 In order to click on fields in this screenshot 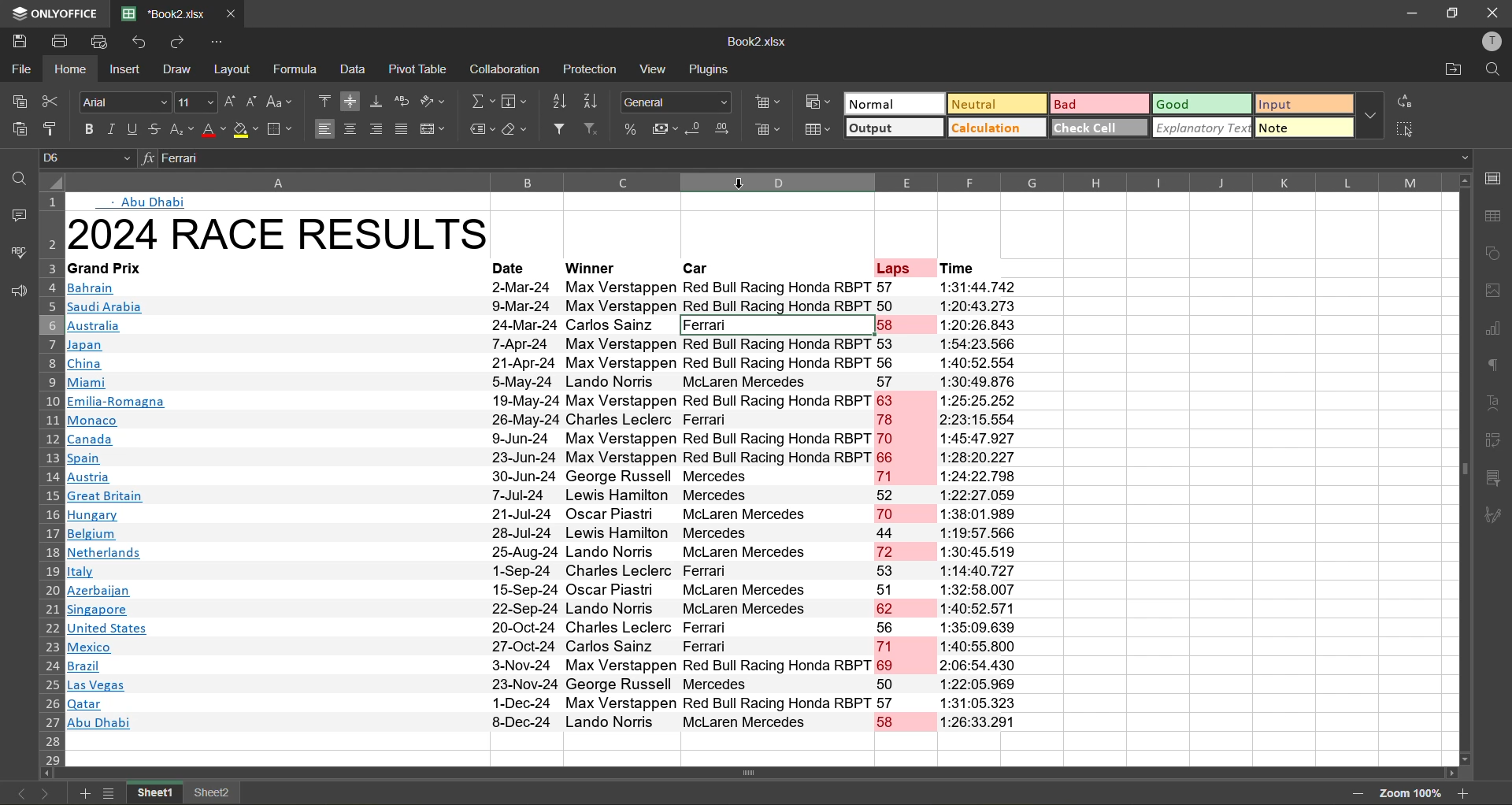, I will do `click(514, 99)`.